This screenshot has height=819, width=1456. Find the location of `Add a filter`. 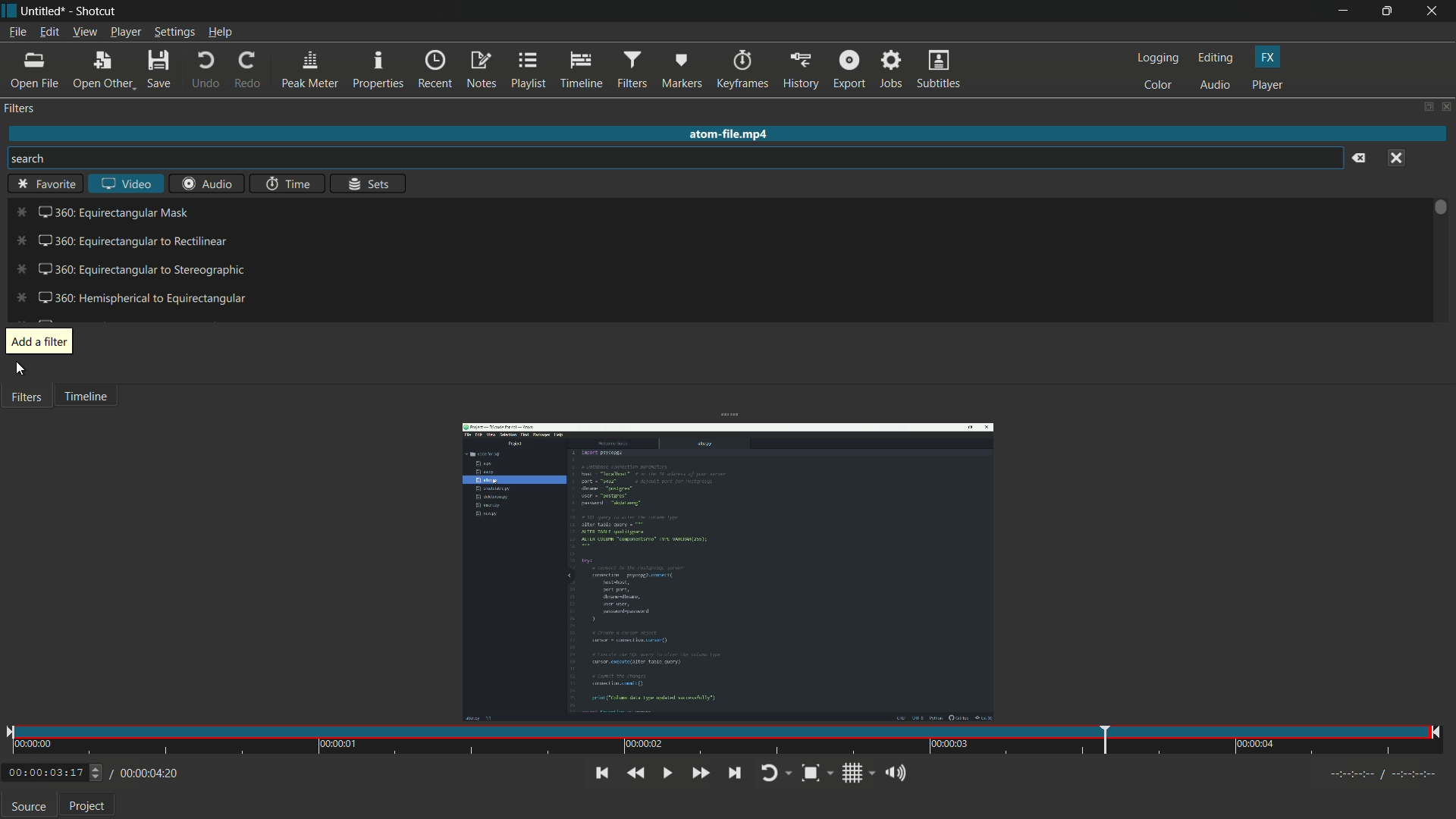

Add a filter is located at coordinates (39, 337).